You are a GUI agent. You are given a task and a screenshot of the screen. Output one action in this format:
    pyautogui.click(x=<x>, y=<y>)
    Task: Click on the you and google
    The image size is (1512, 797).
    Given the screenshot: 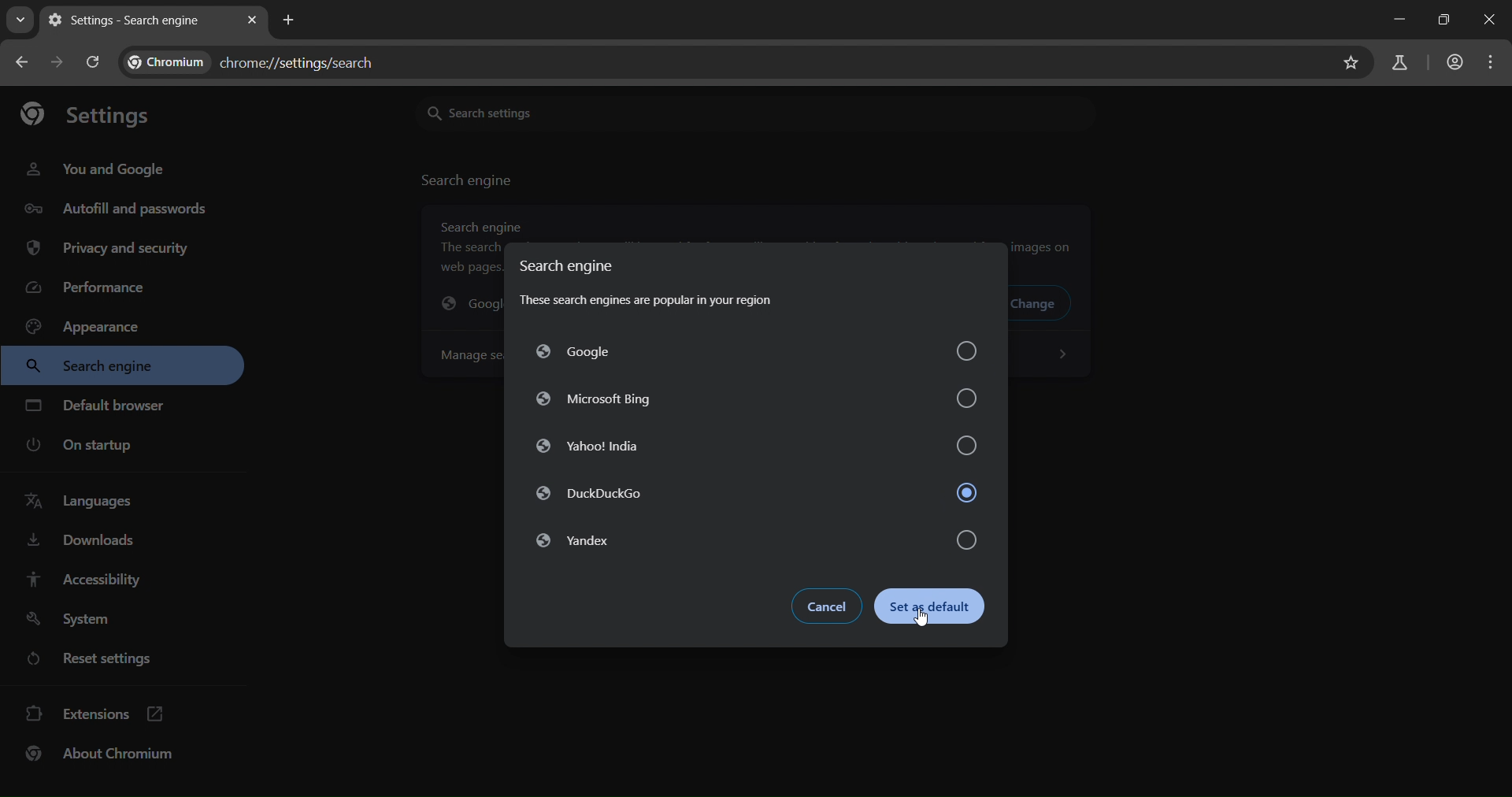 What is the action you would take?
    pyautogui.click(x=99, y=169)
    